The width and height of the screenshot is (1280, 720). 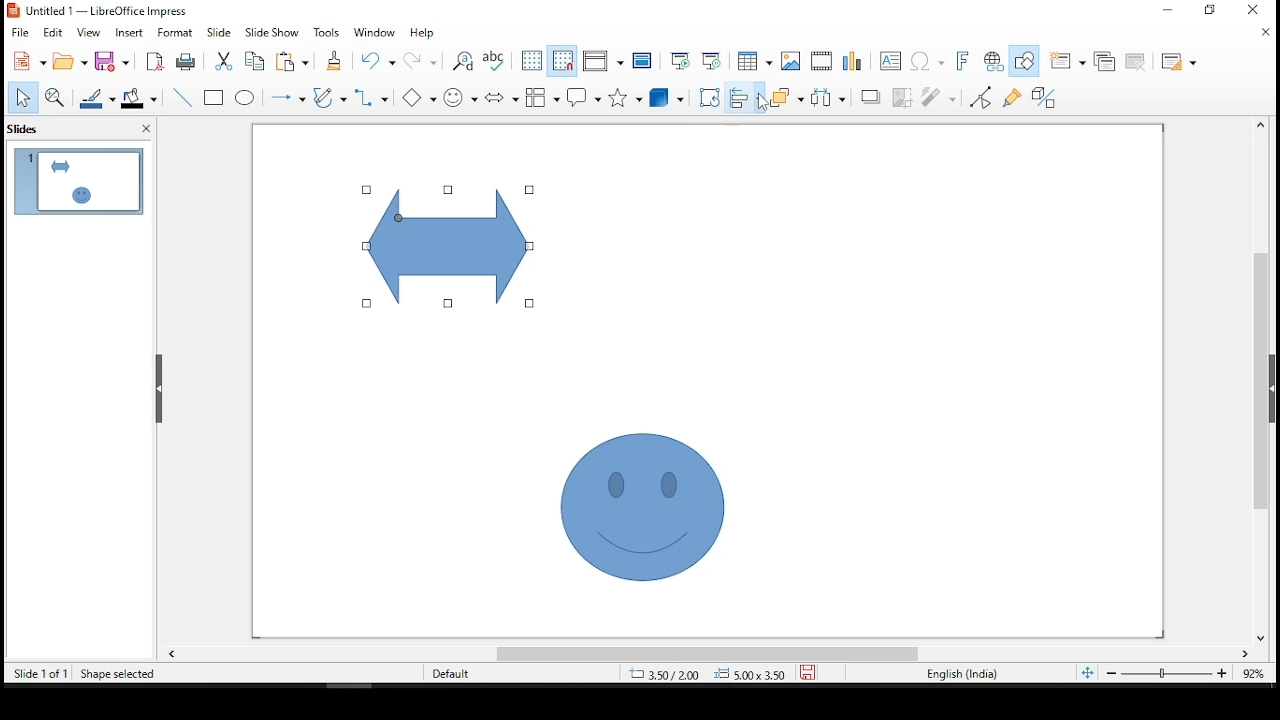 I want to click on insert audio or video, so click(x=821, y=62).